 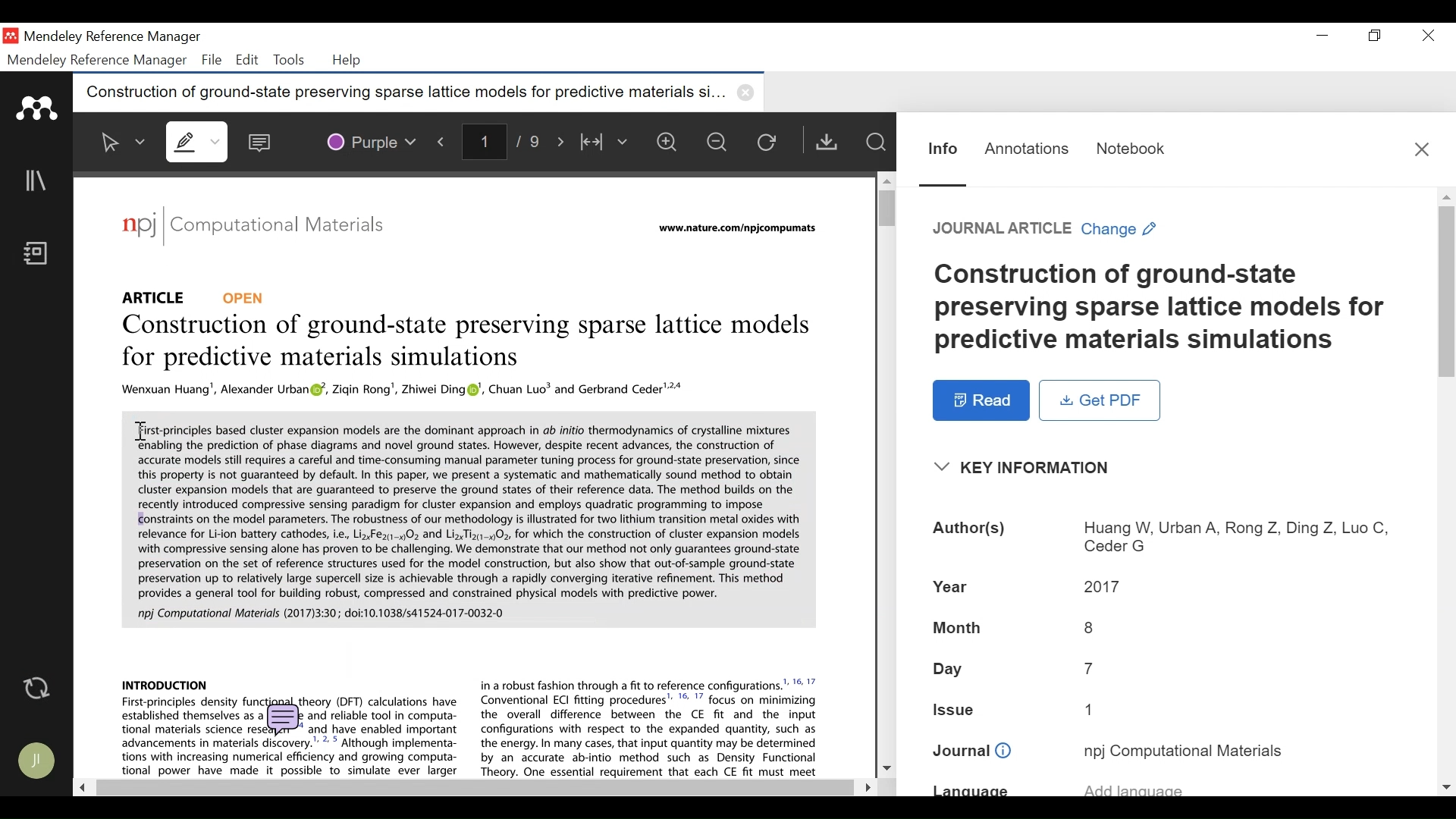 What do you see at coordinates (740, 229) in the screenshot?
I see `URL` at bounding box center [740, 229].